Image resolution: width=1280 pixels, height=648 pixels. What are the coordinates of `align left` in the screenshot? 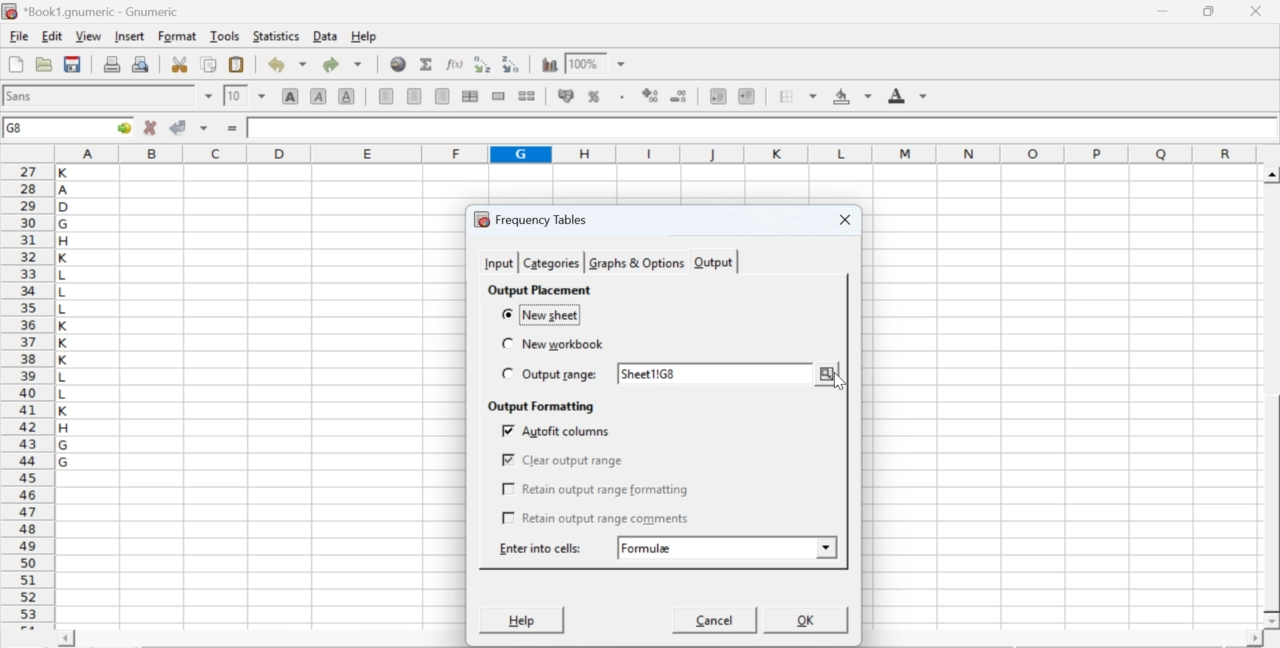 It's located at (386, 94).